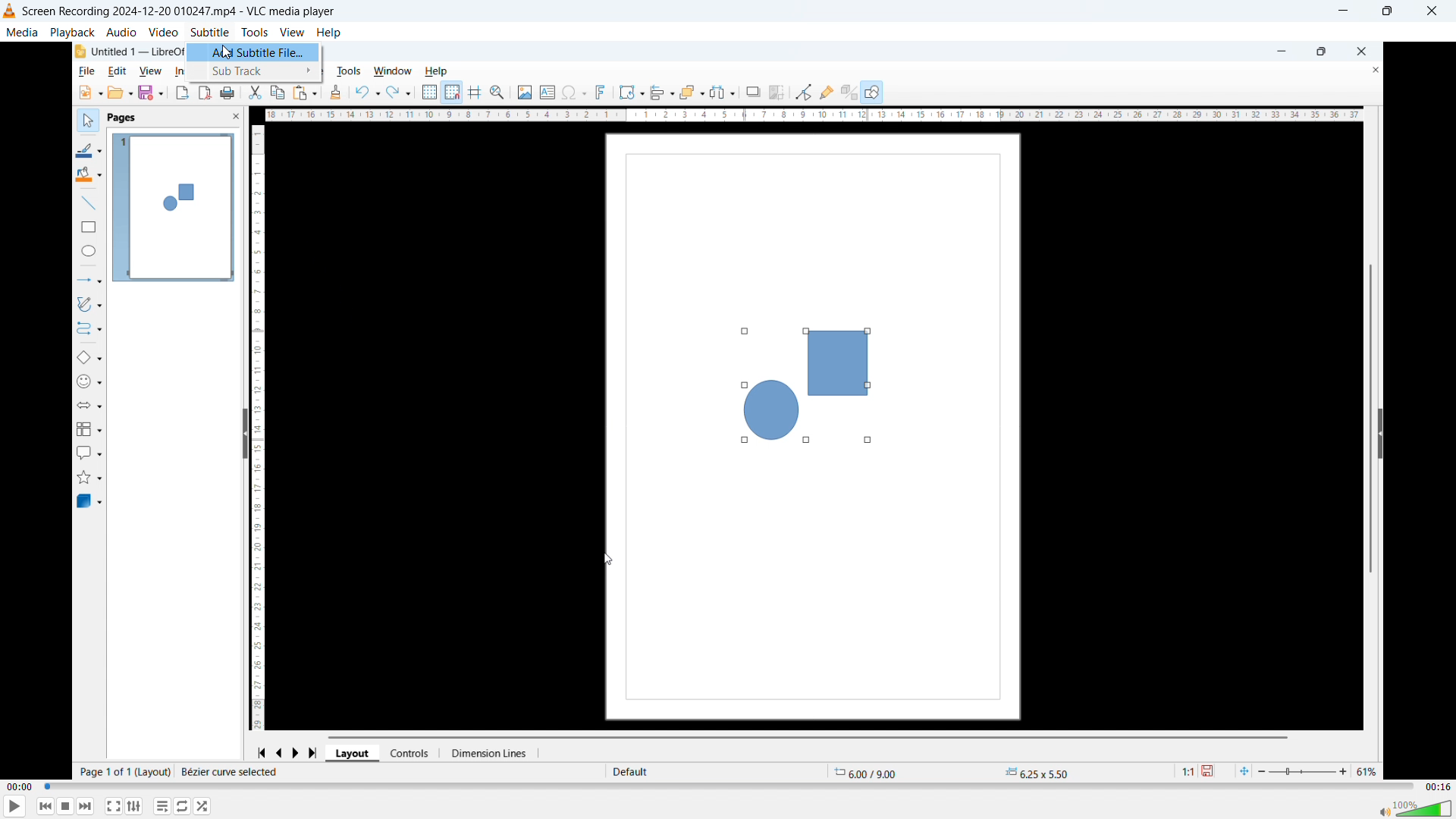  What do you see at coordinates (83, 72) in the screenshot?
I see `file` at bounding box center [83, 72].